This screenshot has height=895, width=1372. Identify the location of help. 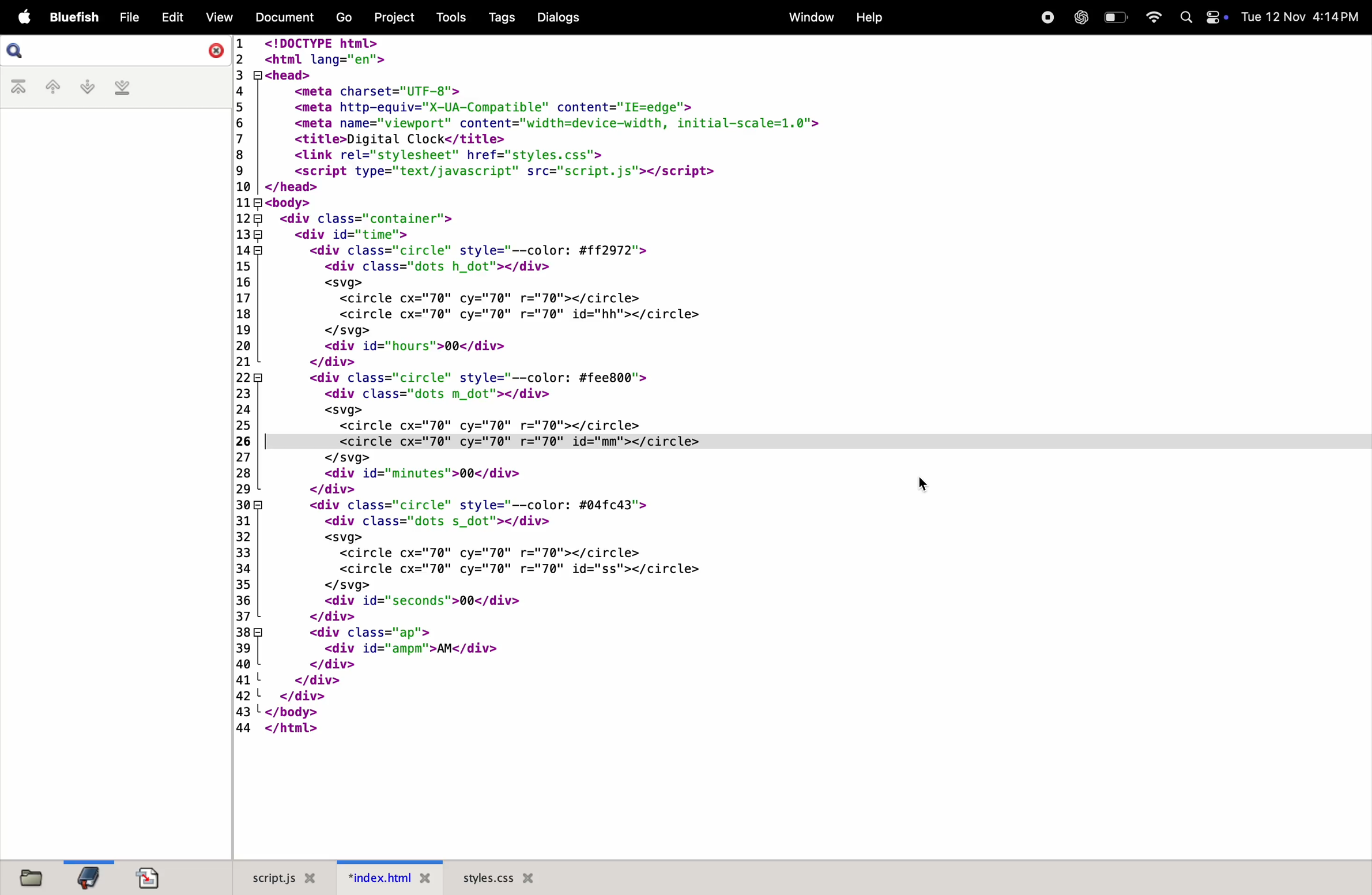
(868, 19).